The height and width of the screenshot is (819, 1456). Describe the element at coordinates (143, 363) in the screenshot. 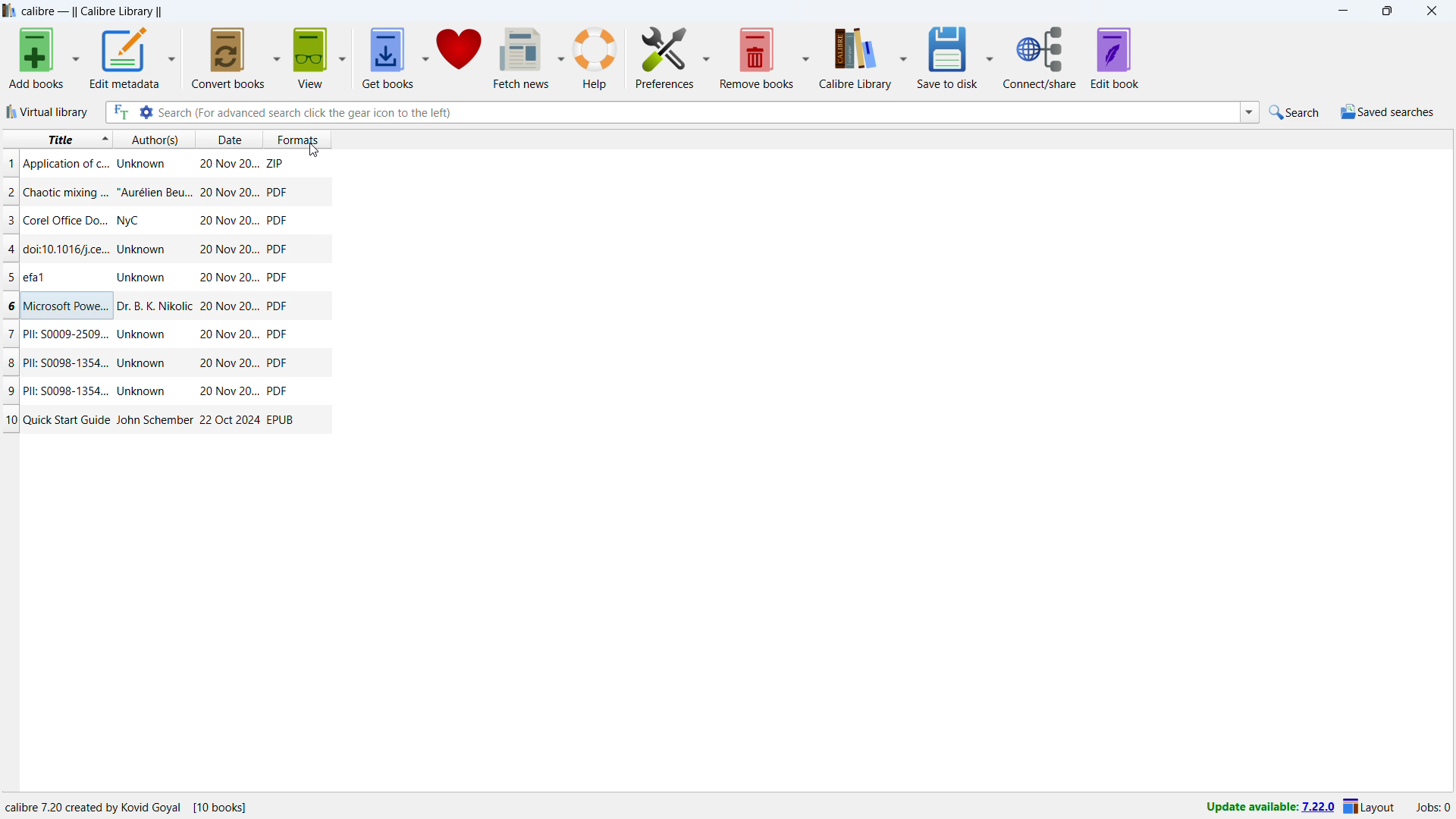

I see `author` at that location.